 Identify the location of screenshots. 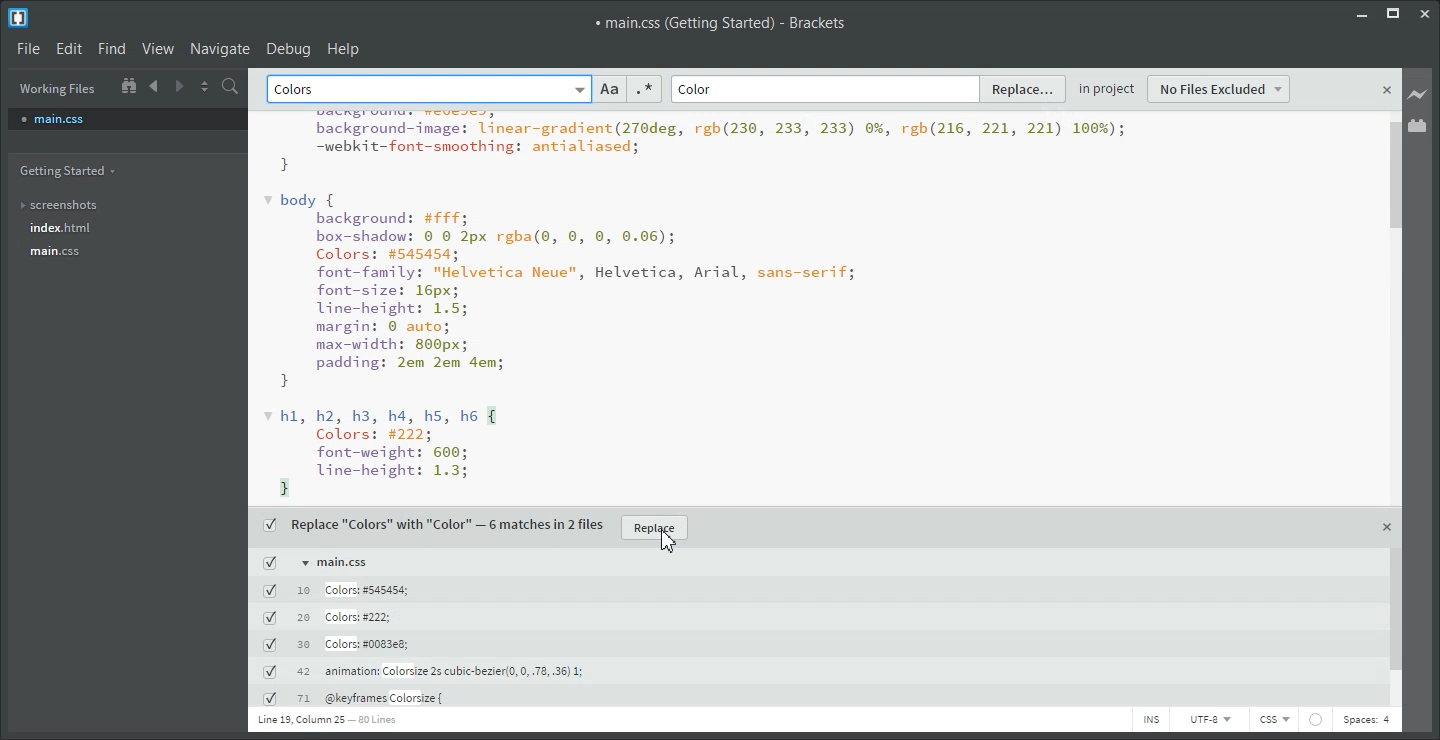
(72, 206).